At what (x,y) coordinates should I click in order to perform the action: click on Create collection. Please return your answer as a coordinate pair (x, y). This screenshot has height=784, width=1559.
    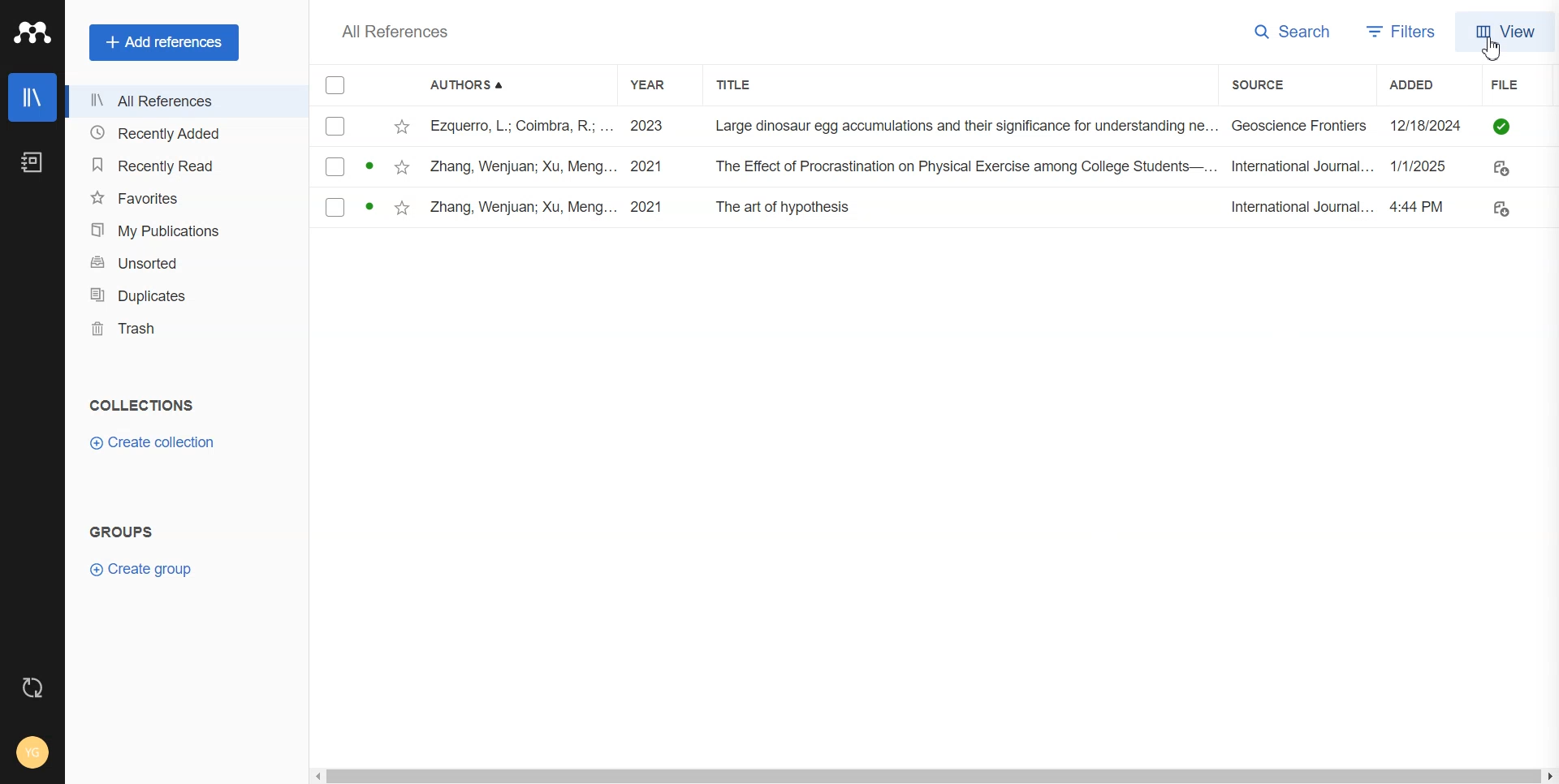
    Looking at the image, I should click on (159, 442).